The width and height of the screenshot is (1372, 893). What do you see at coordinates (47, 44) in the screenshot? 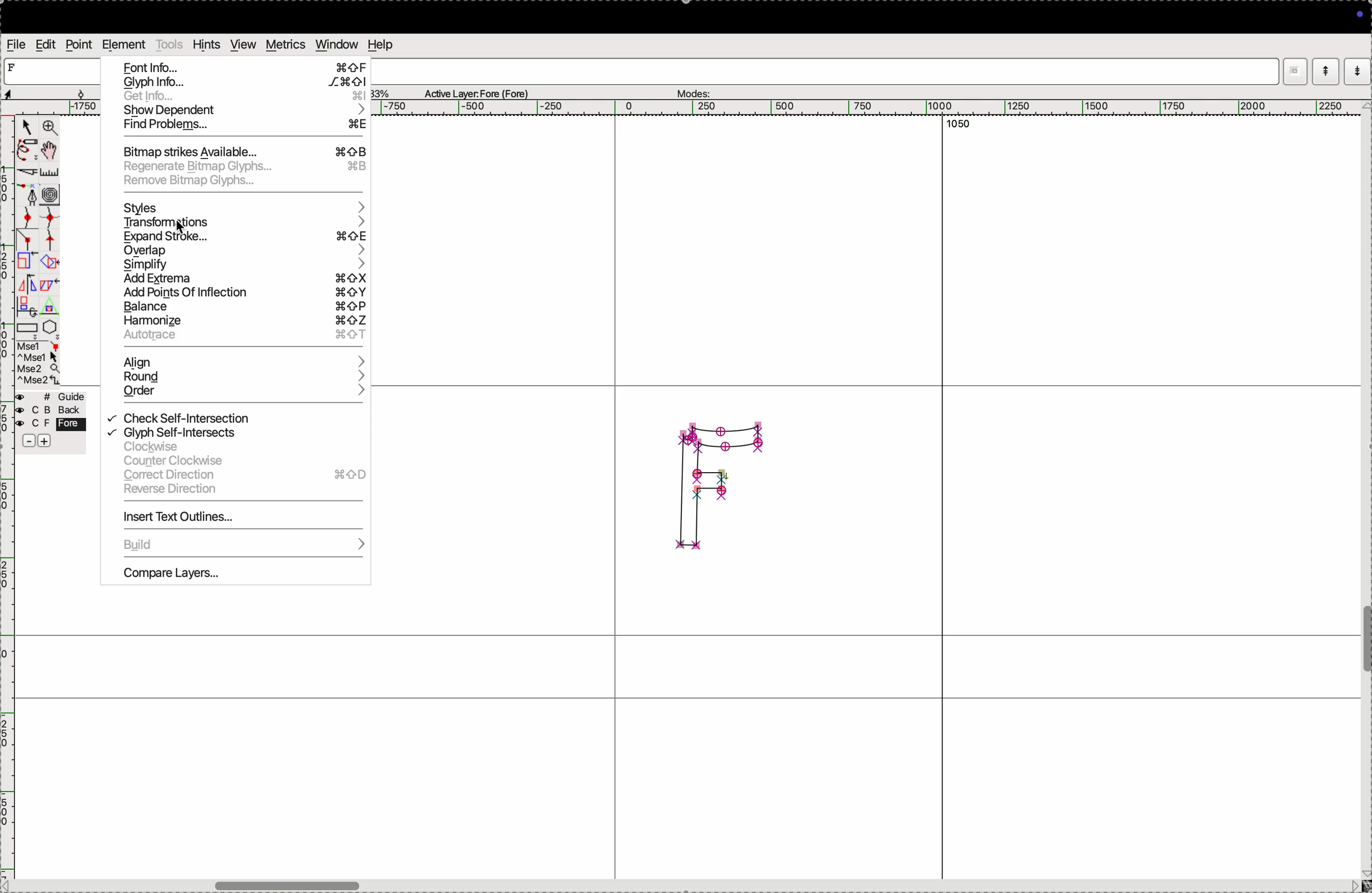
I see `edit` at bounding box center [47, 44].